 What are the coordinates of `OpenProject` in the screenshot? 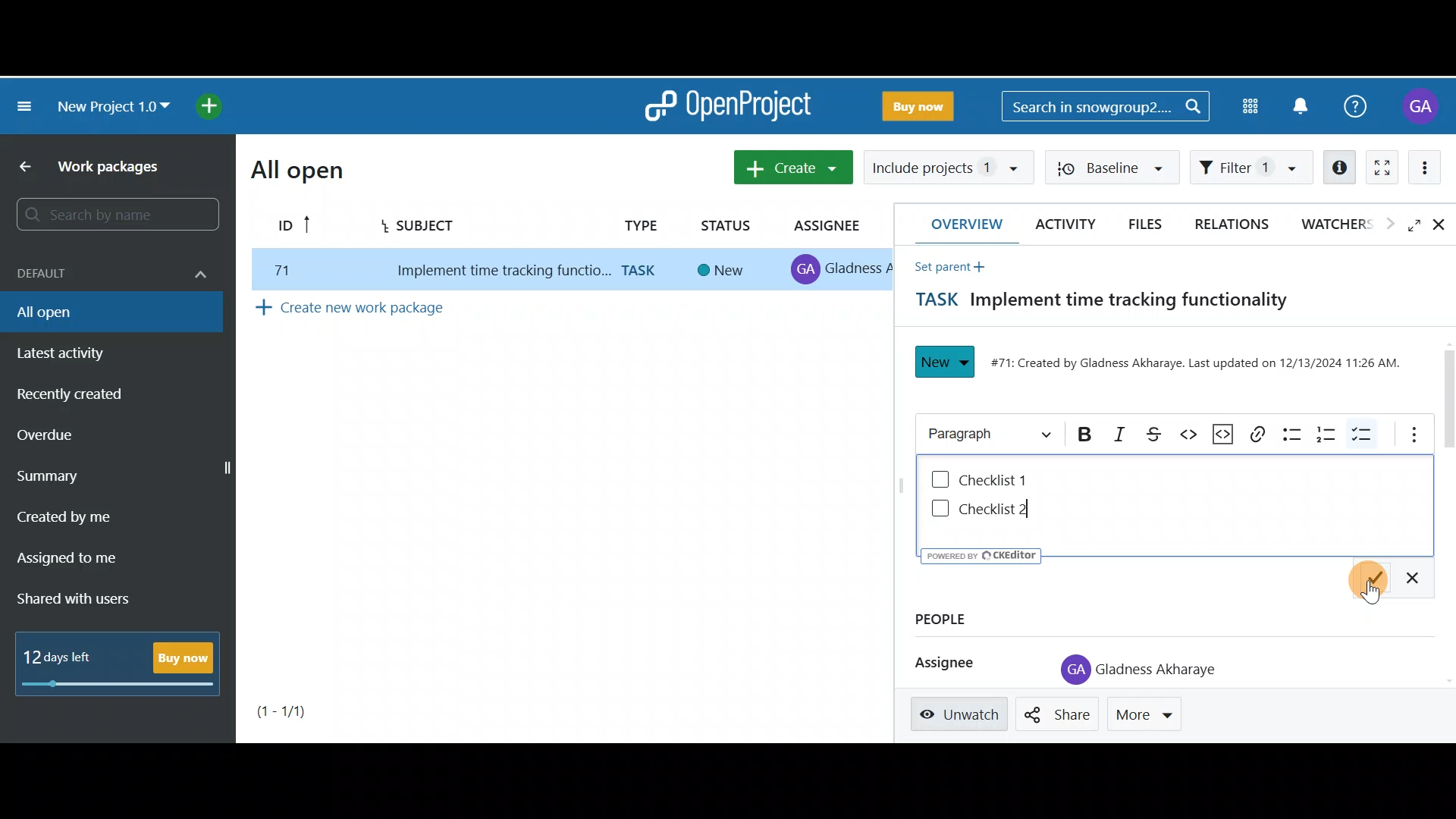 It's located at (726, 106).